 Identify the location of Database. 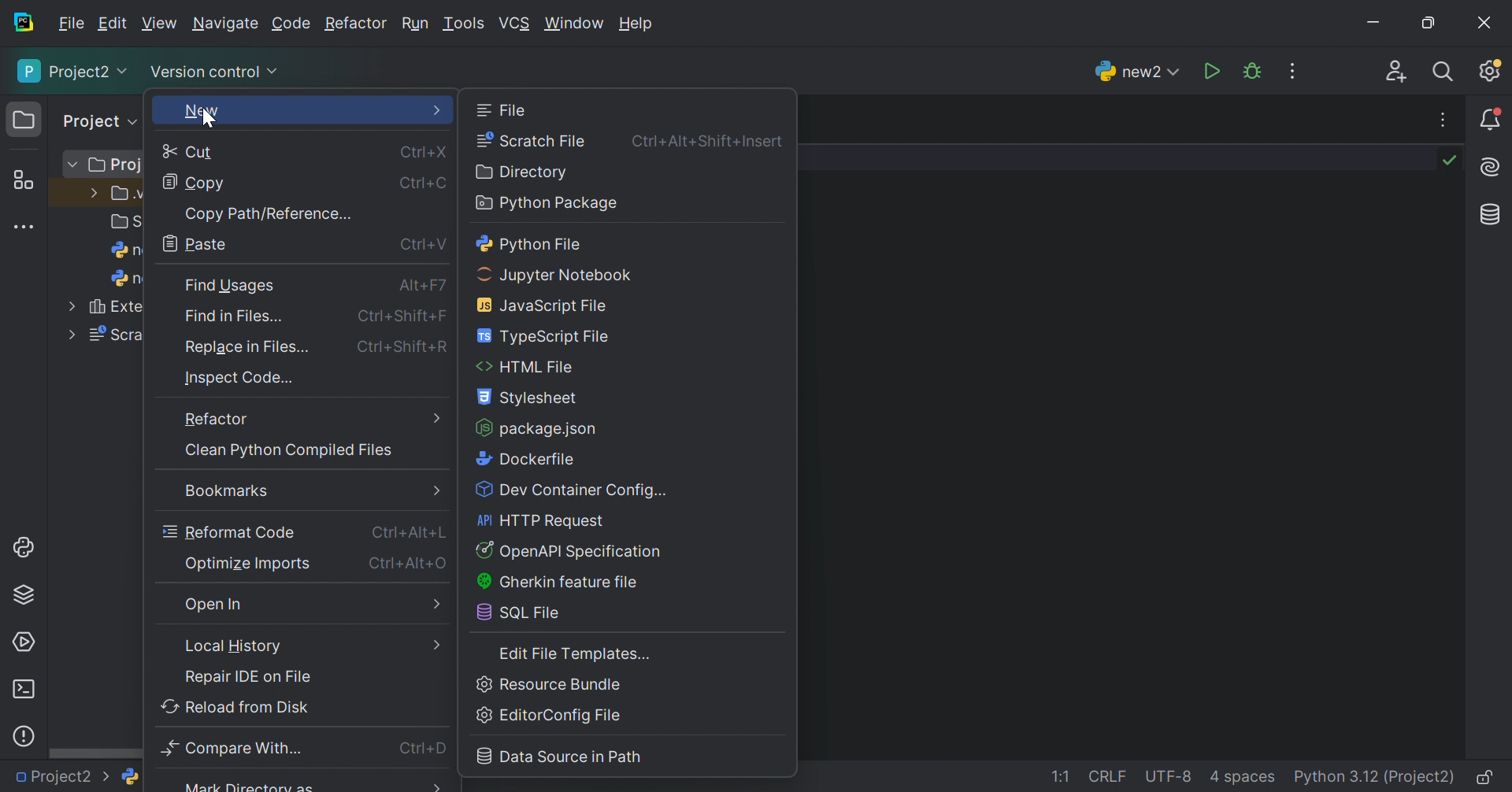
(1492, 216).